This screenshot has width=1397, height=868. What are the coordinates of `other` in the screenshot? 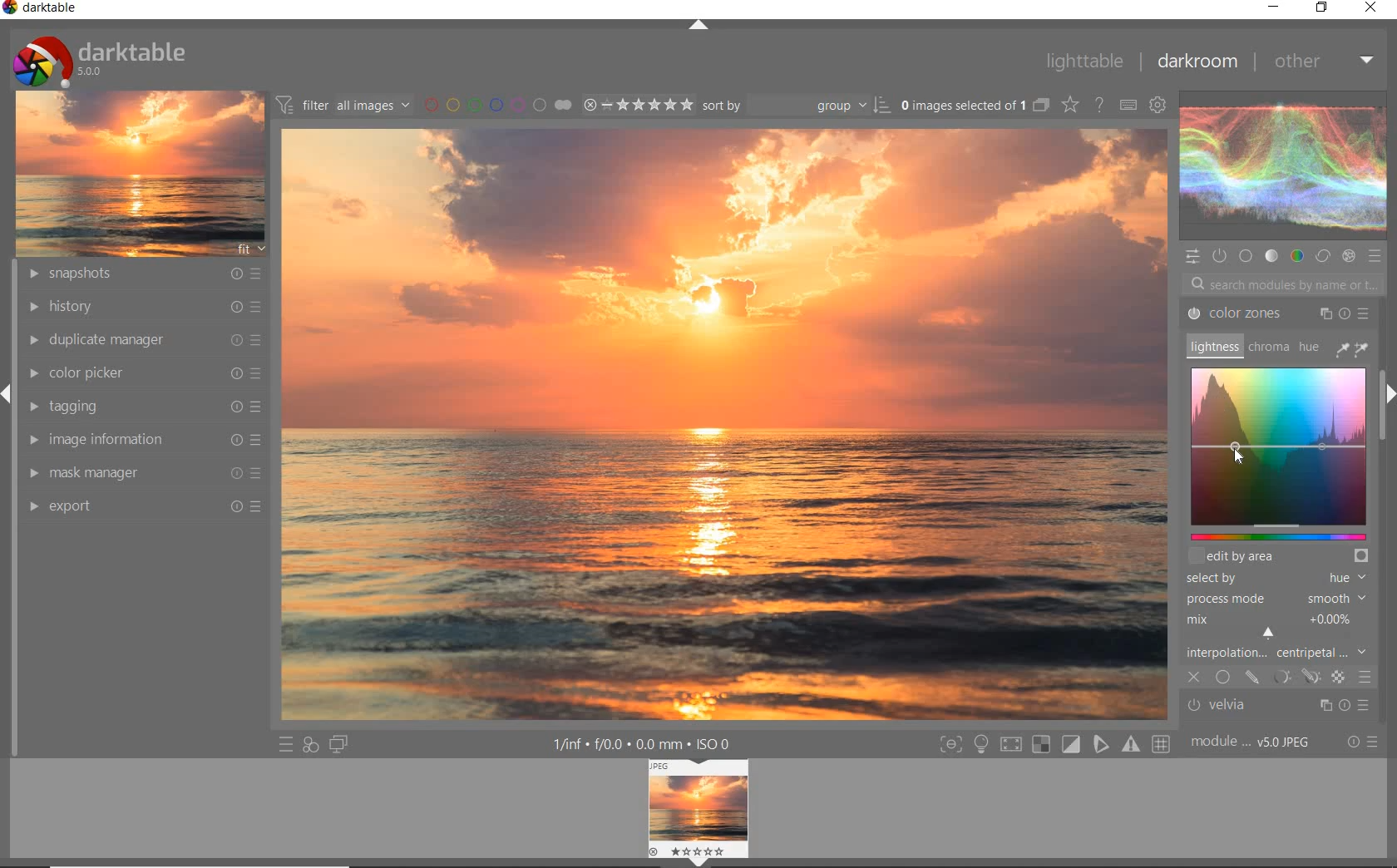 It's located at (1326, 65).